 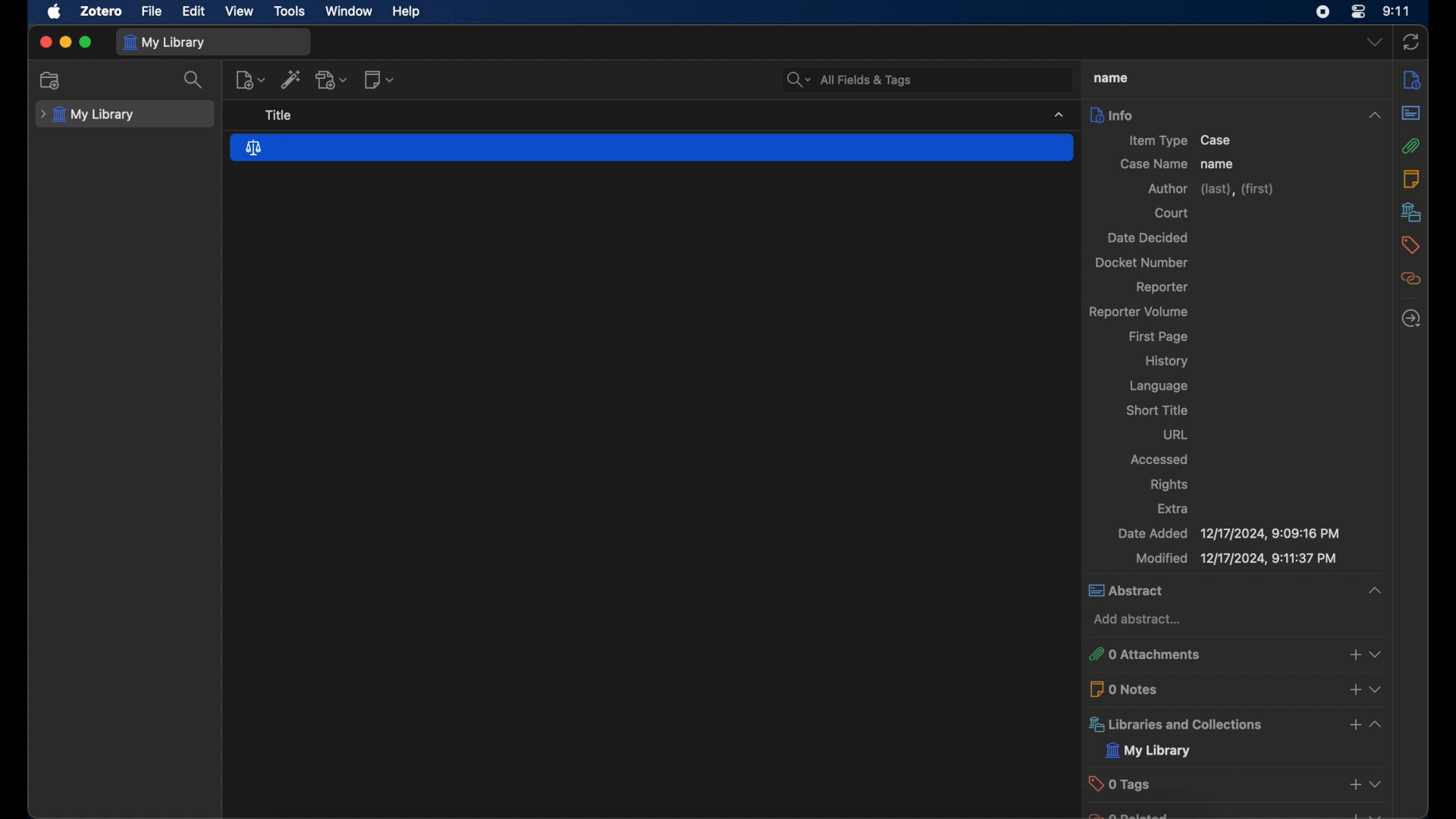 What do you see at coordinates (255, 147) in the screenshot?
I see `case` at bounding box center [255, 147].